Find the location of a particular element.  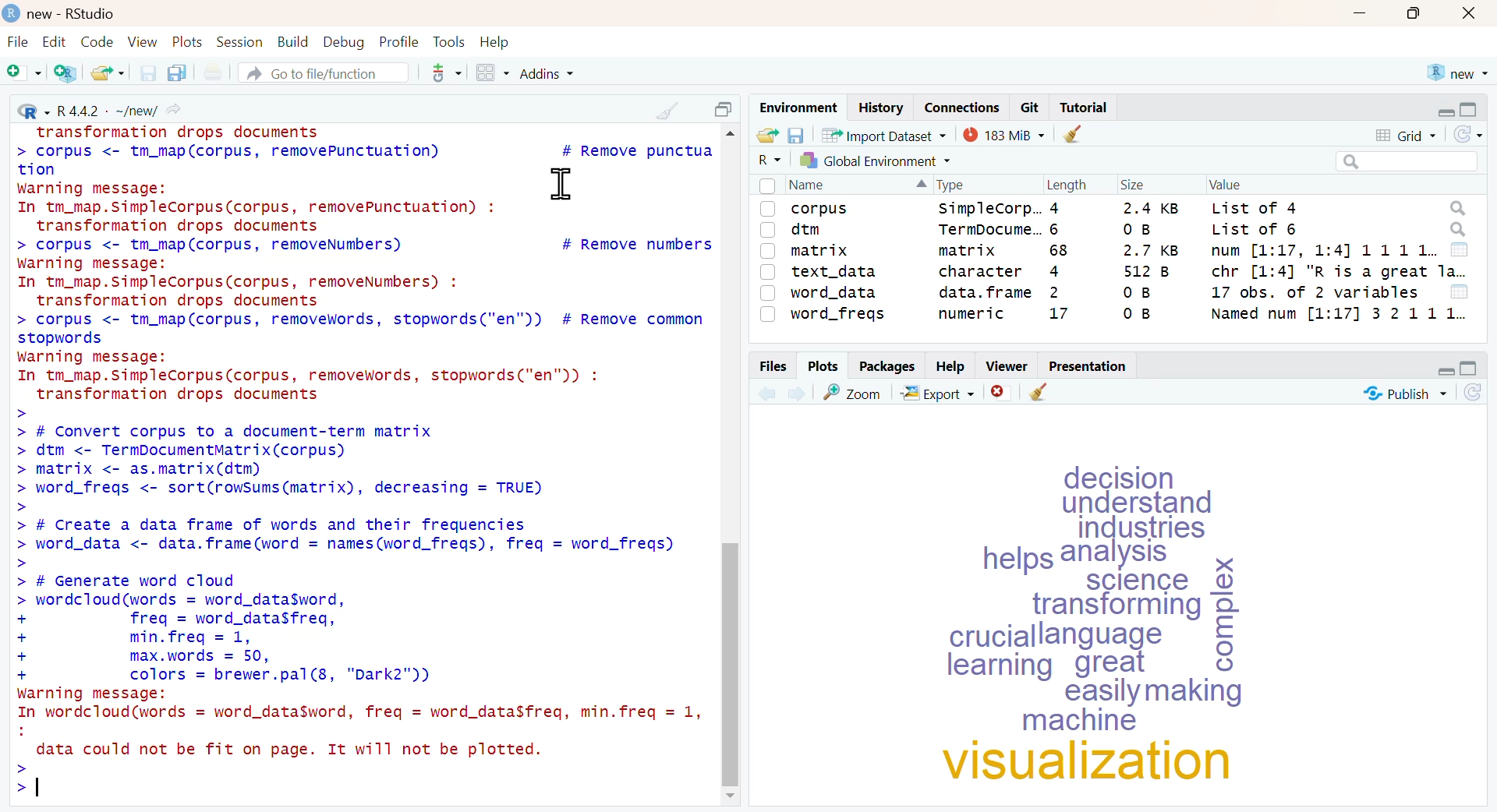

Check box is located at coordinates (769, 272).